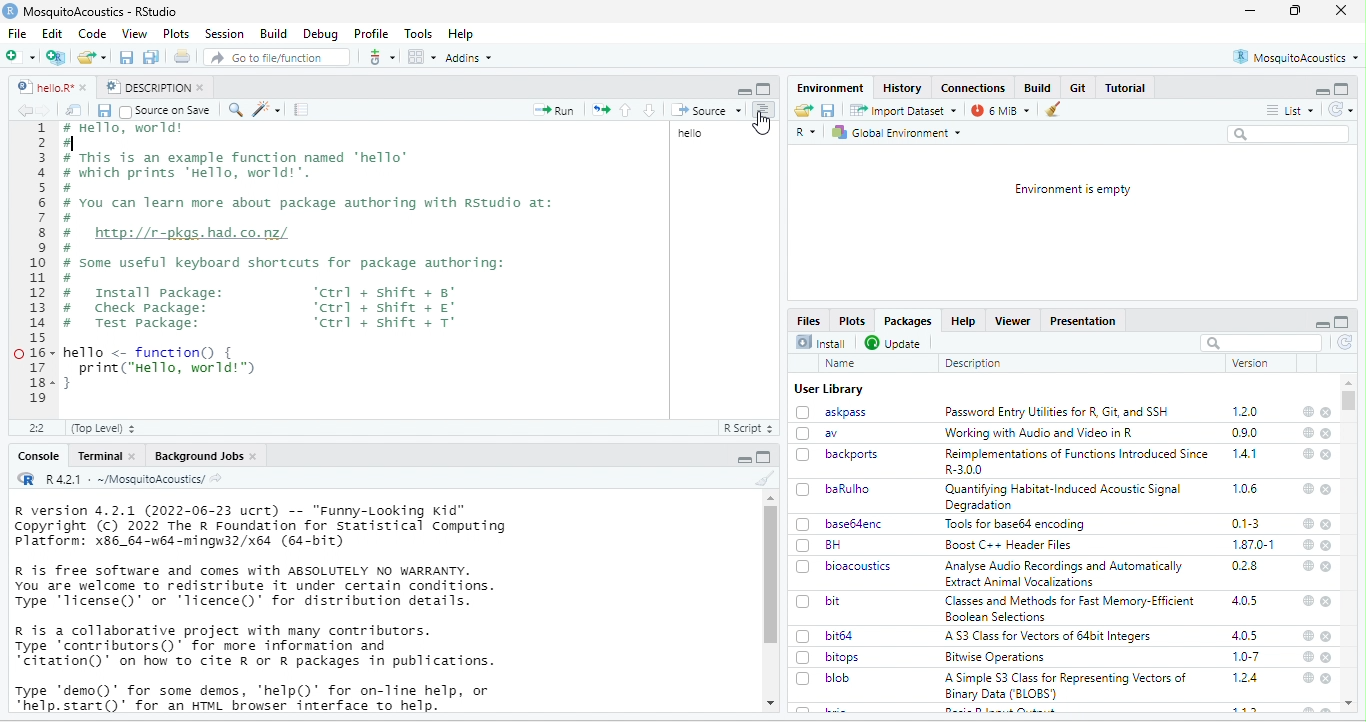 This screenshot has height=722, width=1366. Describe the element at coordinates (973, 88) in the screenshot. I see `Connections` at that location.